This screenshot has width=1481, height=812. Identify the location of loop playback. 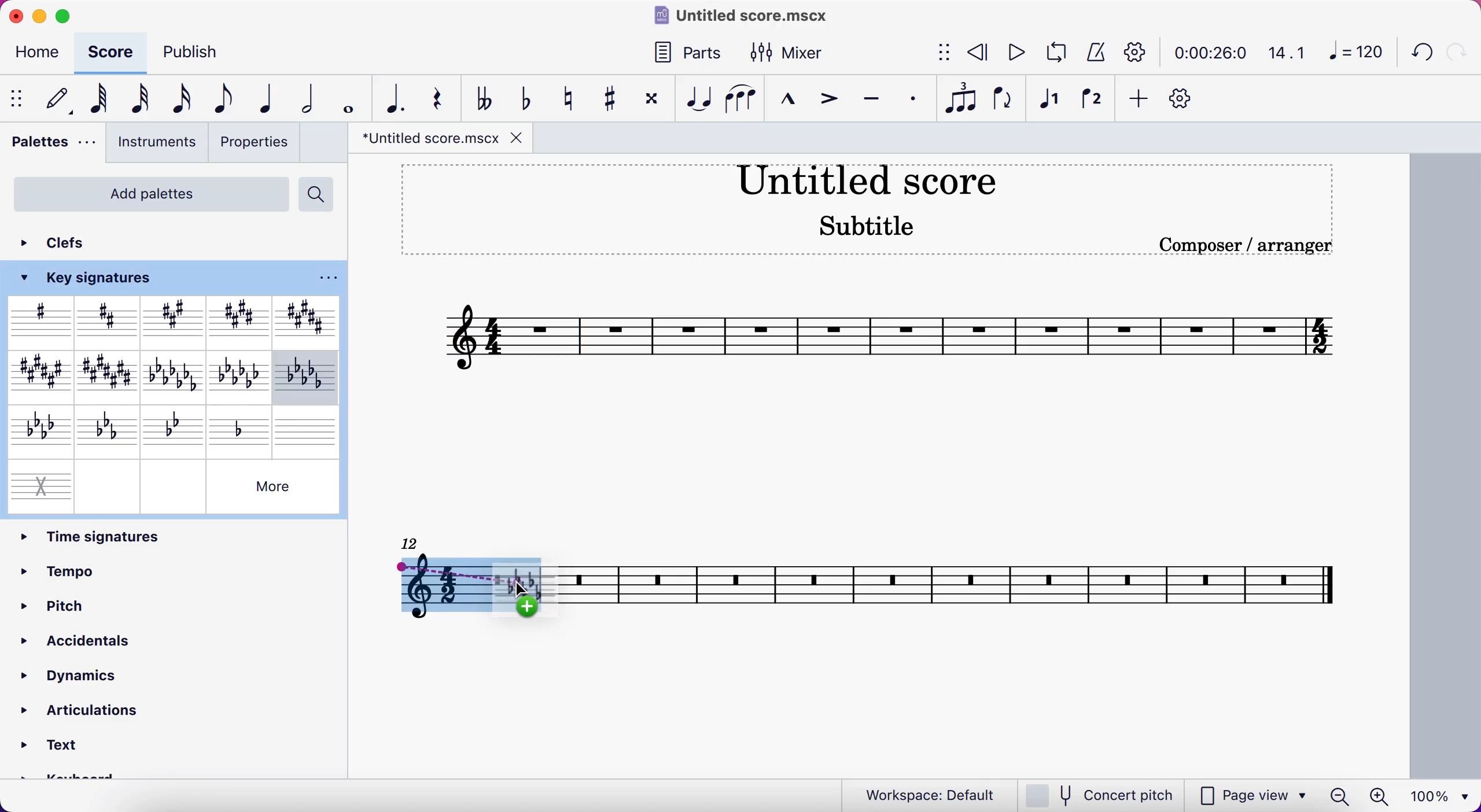
(1054, 52).